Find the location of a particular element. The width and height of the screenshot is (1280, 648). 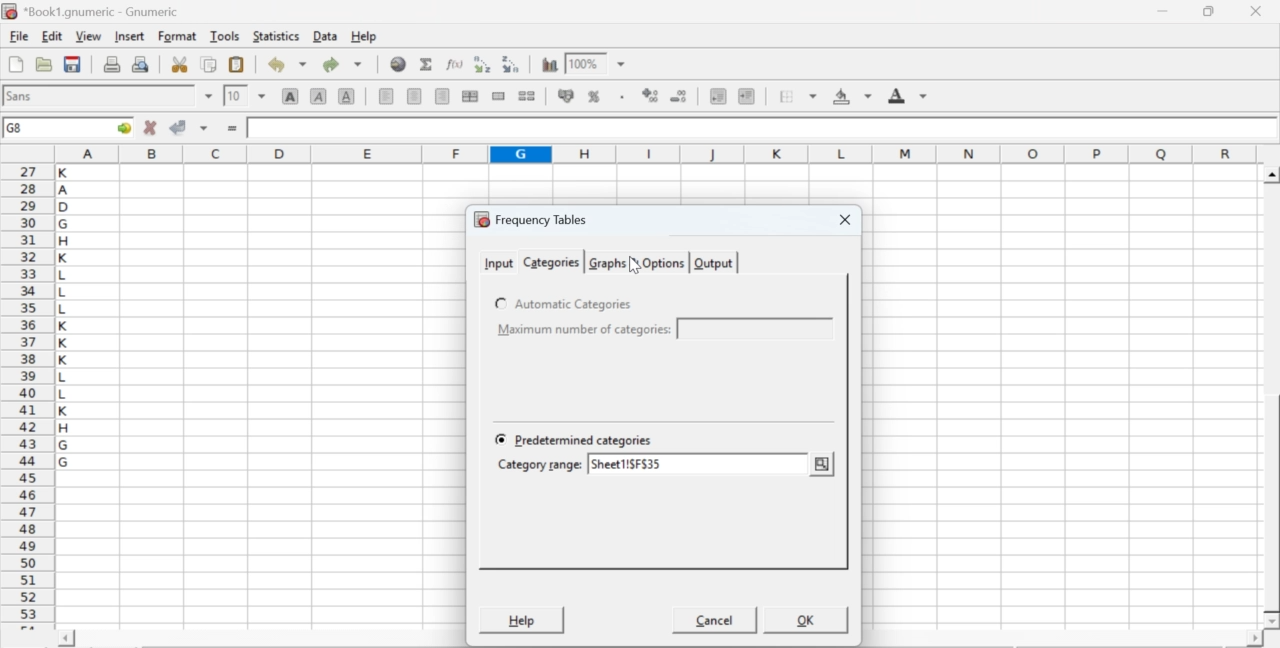

10 is located at coordinates (235, 96).